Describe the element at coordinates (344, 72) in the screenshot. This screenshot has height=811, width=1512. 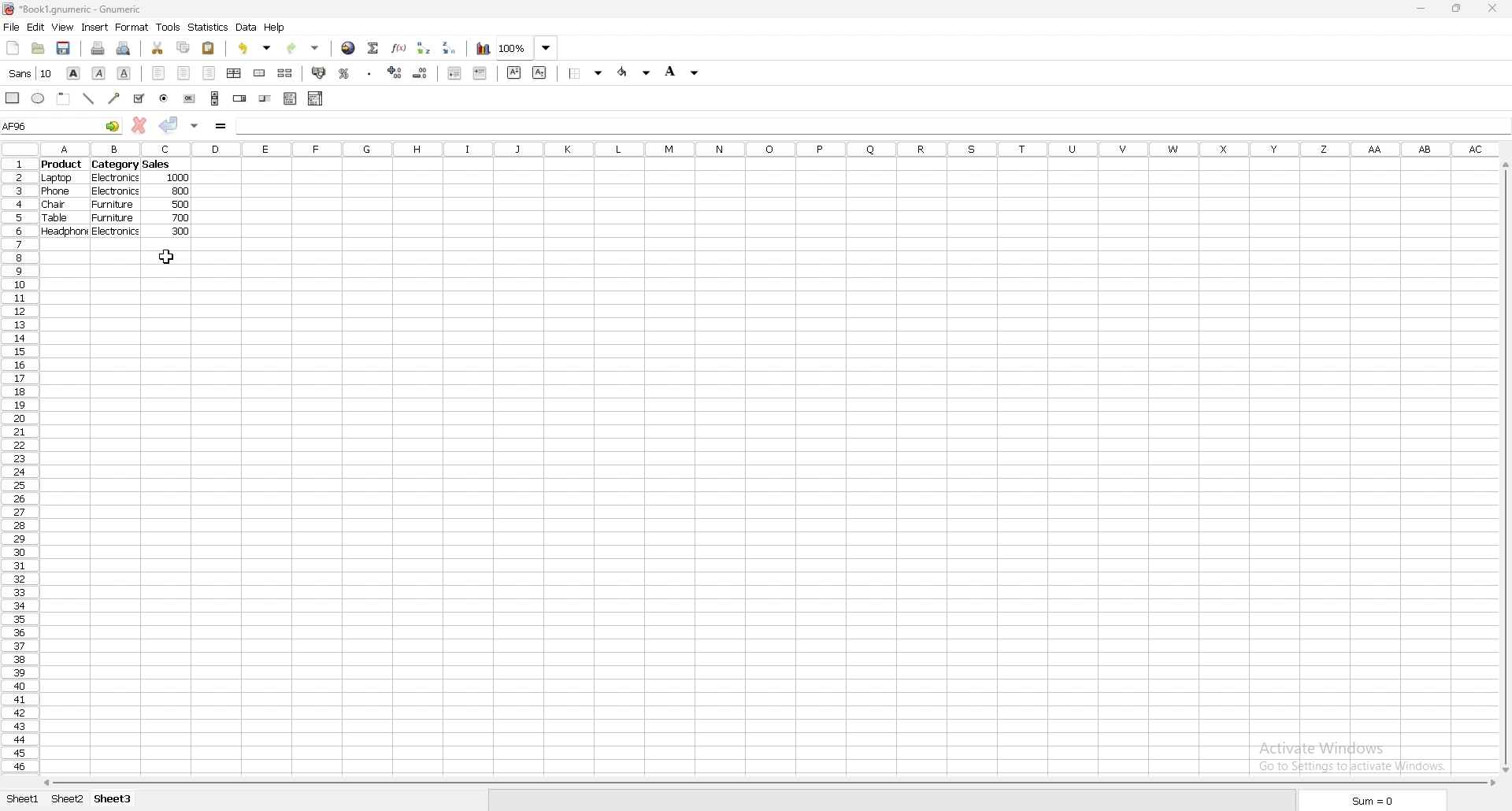
I see `percentage` at that location.